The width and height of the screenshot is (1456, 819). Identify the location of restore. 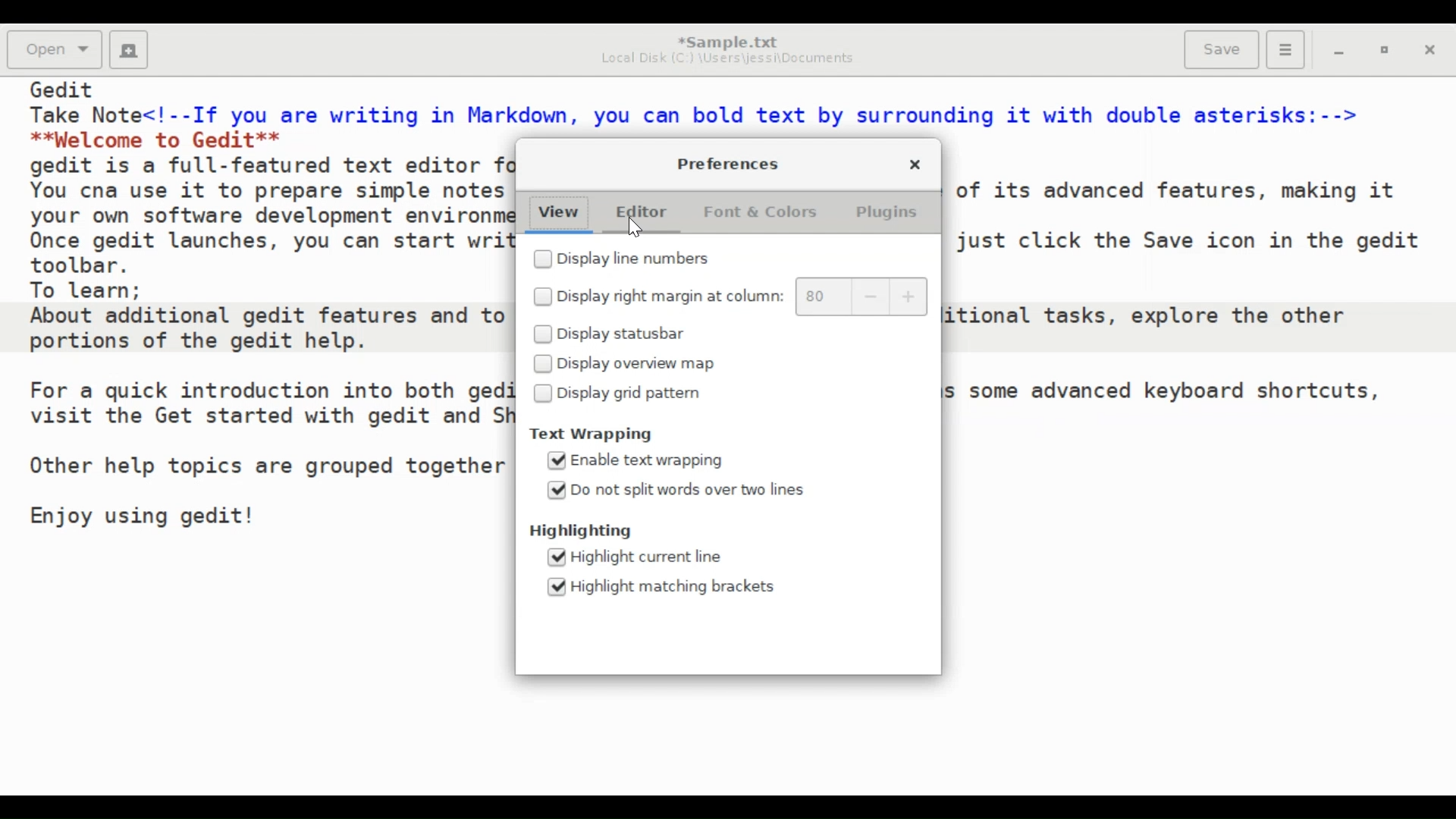
(1387, 52).